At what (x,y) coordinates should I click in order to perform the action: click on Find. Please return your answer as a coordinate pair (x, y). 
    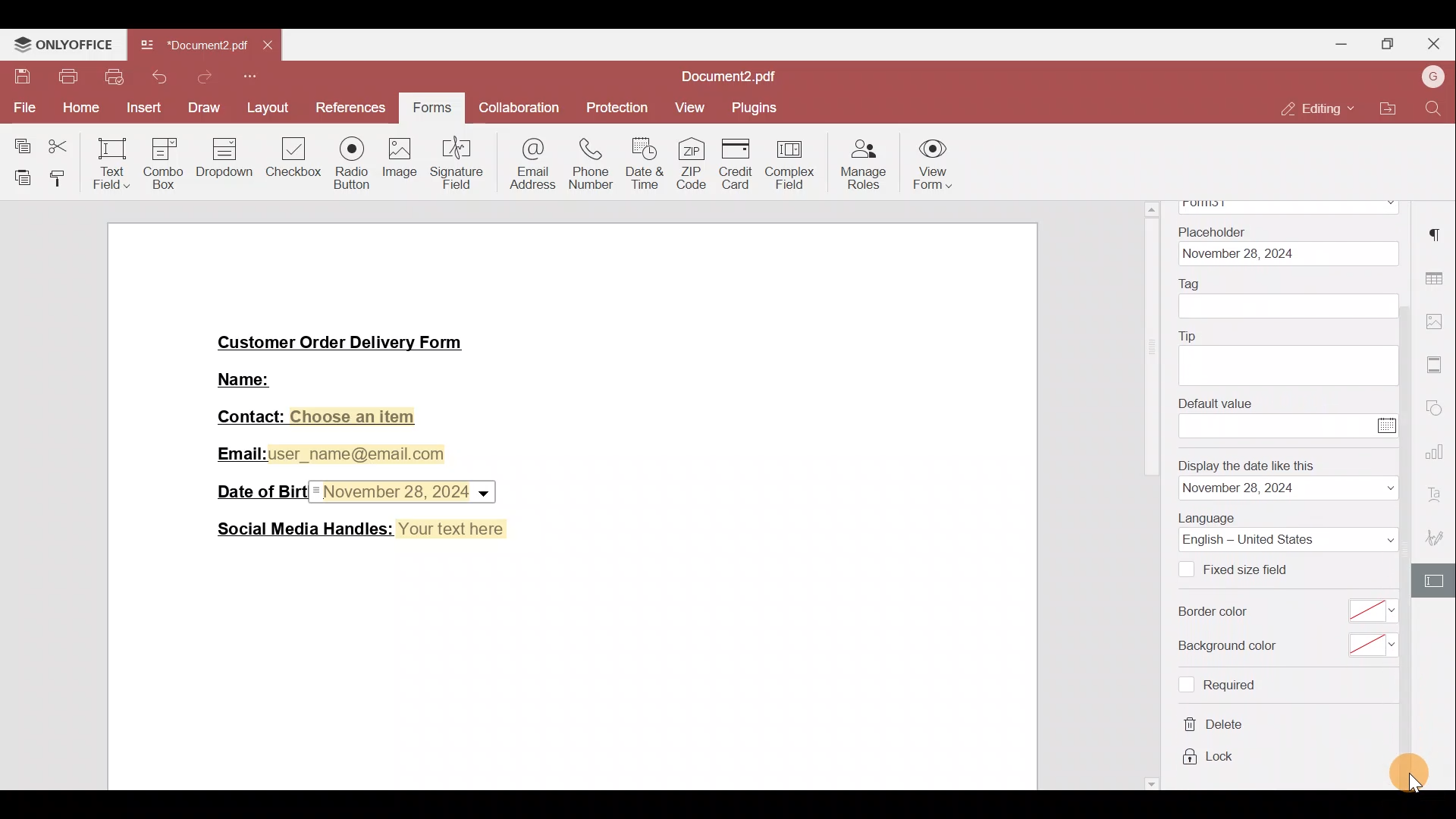
    Looking at the image, I should click on (1434, 107).